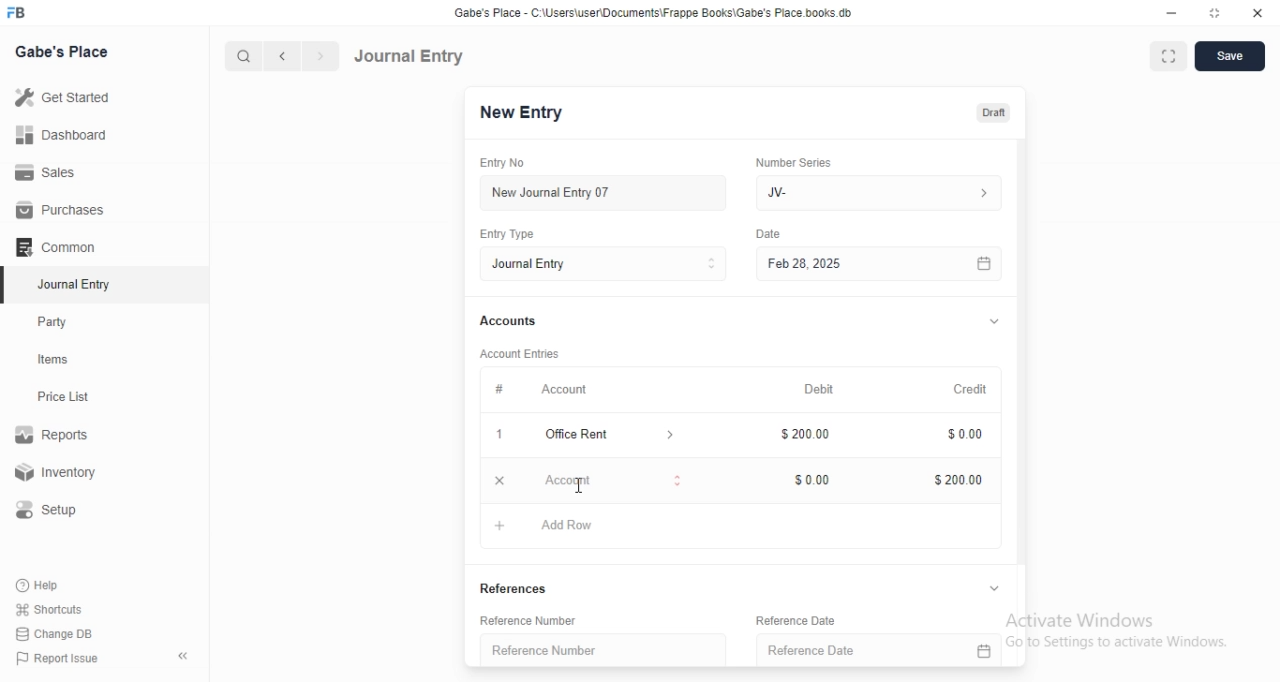  Describe the element at coordinates (49, 608) in the screenshot. I see `Shortcuts` at that location.